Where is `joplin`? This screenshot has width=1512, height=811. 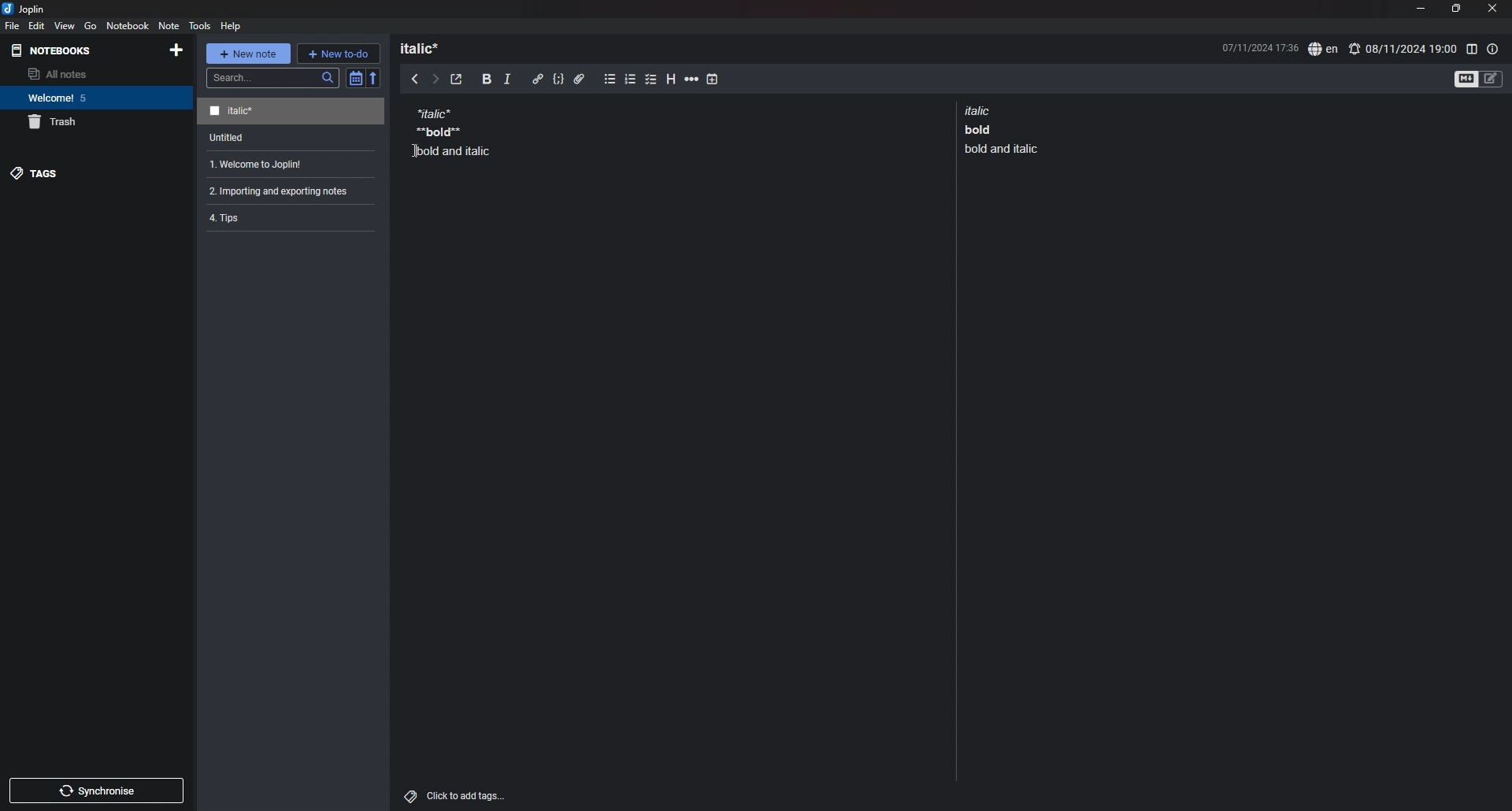 joplin is located at coordinates (24, 9).